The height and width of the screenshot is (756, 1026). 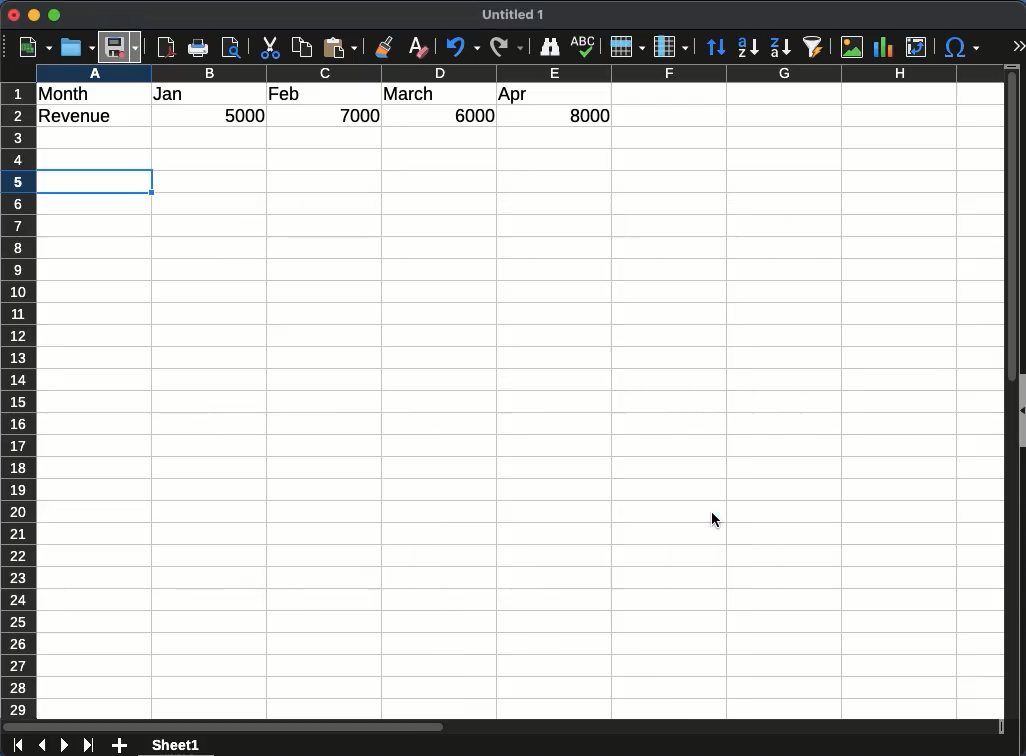 What do you see at coordinates (17, 400) in the screenshot?
I see `row` at bounding box center [17, 400].